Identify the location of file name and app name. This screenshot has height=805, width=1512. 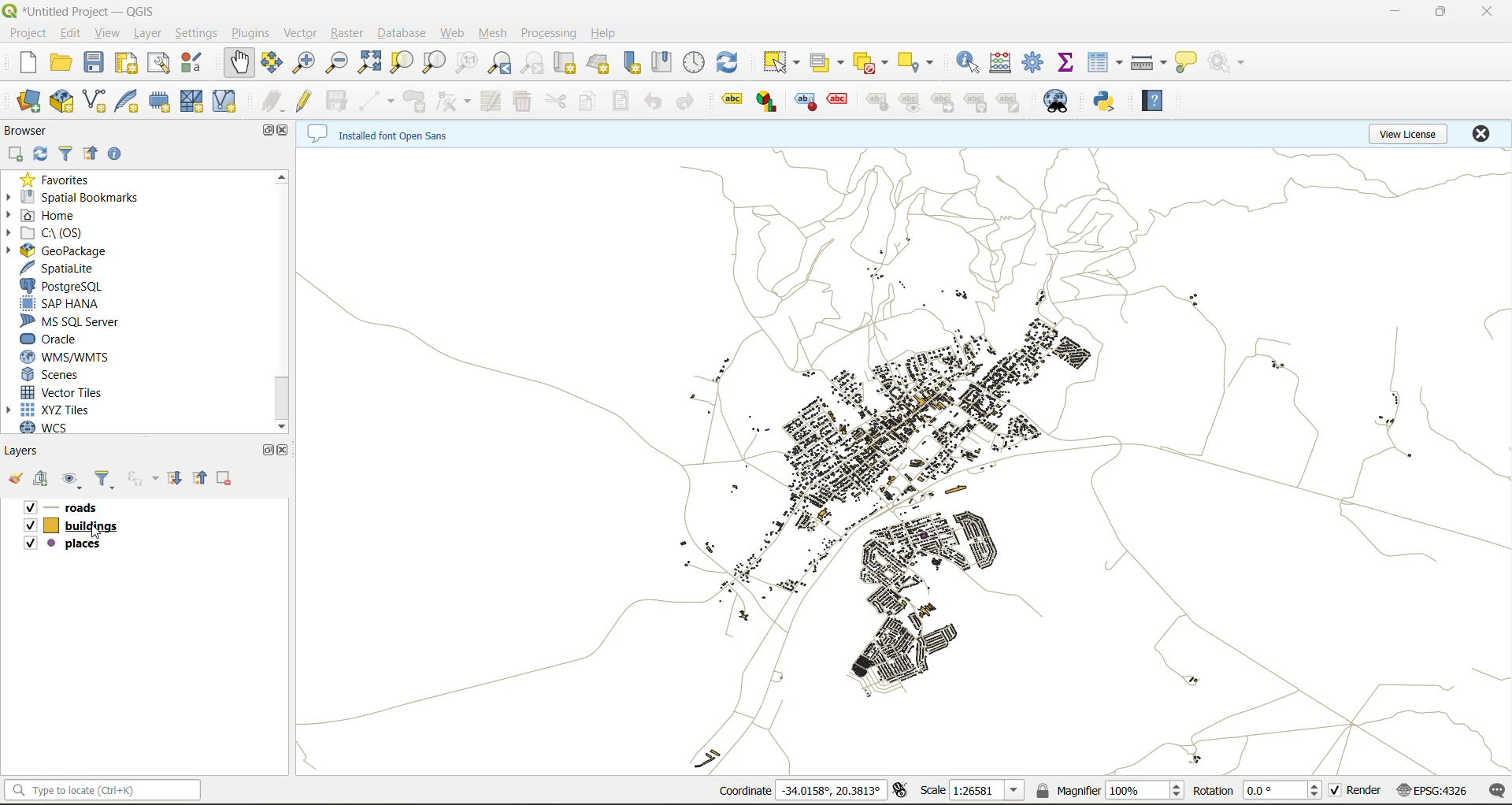
(80, 12).